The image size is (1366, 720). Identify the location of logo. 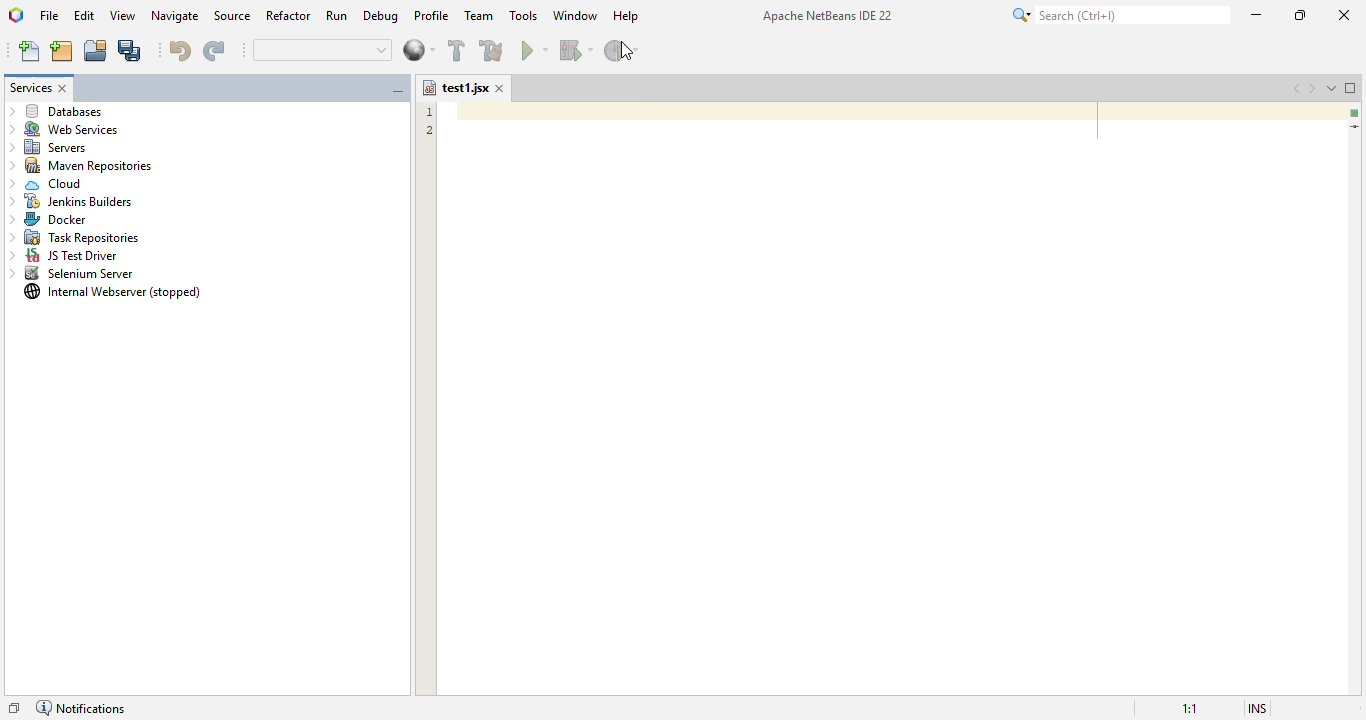
(16, 14).